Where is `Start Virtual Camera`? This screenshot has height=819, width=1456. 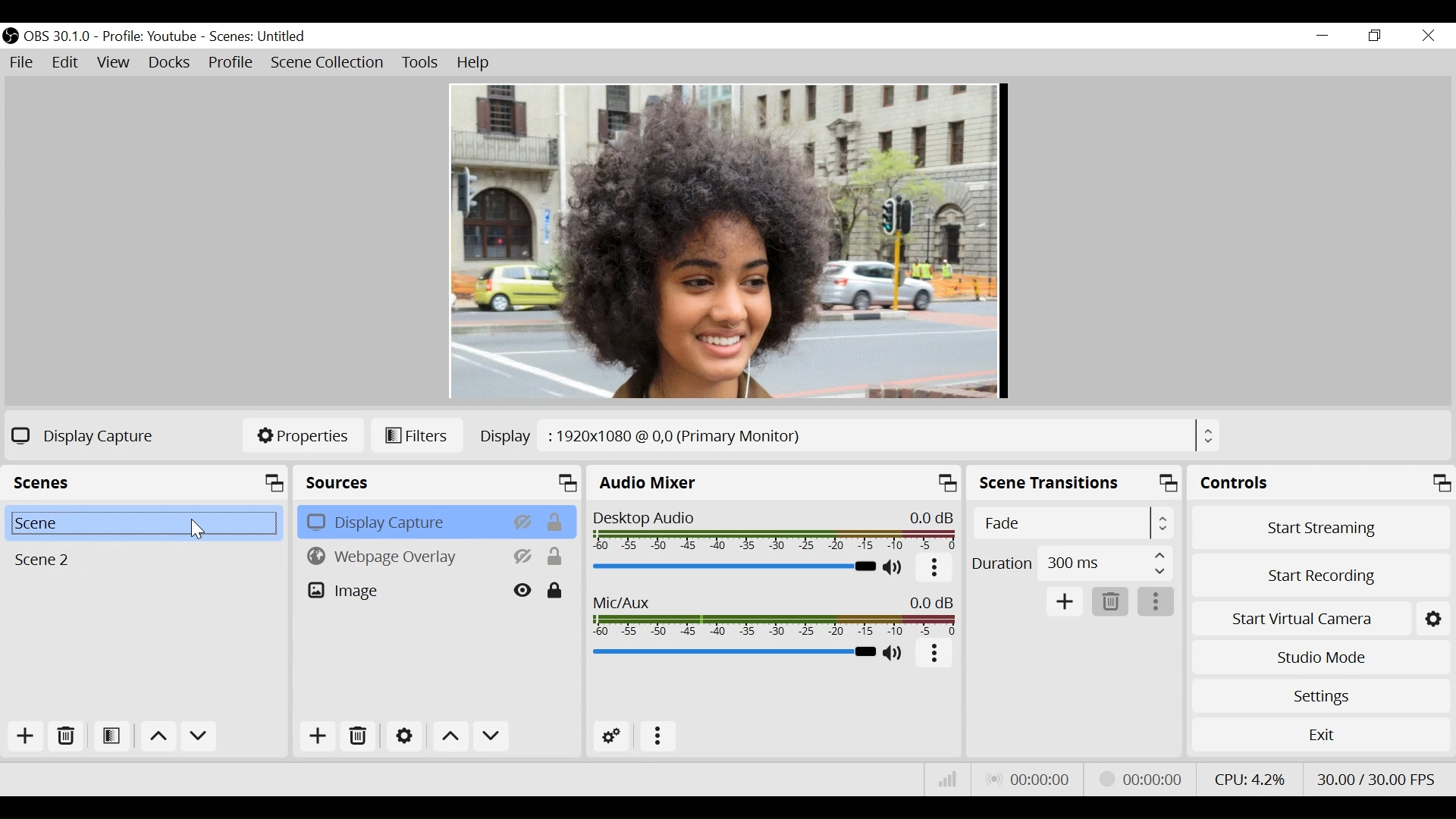
Start Virtual Camera is located at coordinates (1301, 620).